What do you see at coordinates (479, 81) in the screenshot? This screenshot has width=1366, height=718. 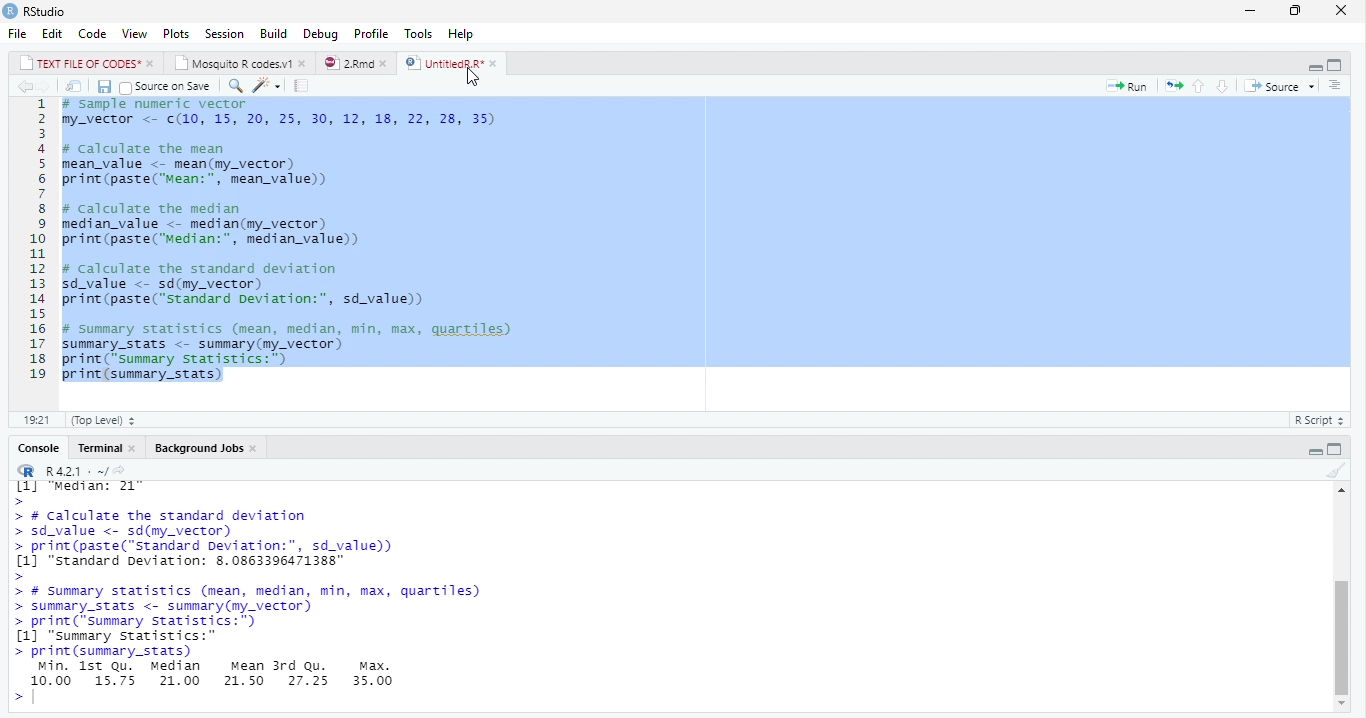 I see `cursor` at bounding box center [479, 81].